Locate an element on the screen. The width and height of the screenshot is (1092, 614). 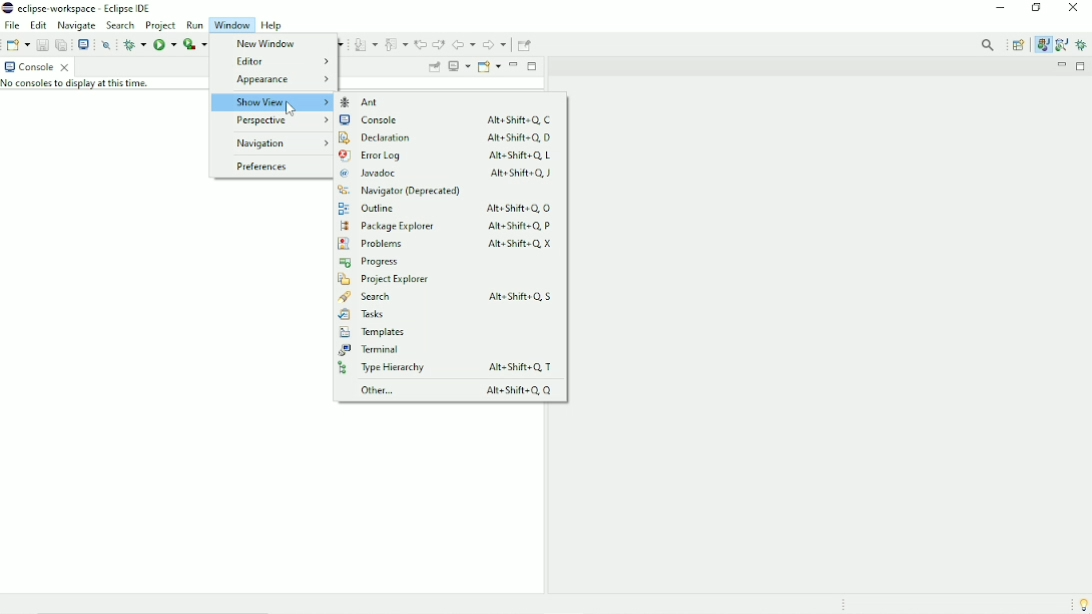
Coverage is located at coordinates (194, 44).